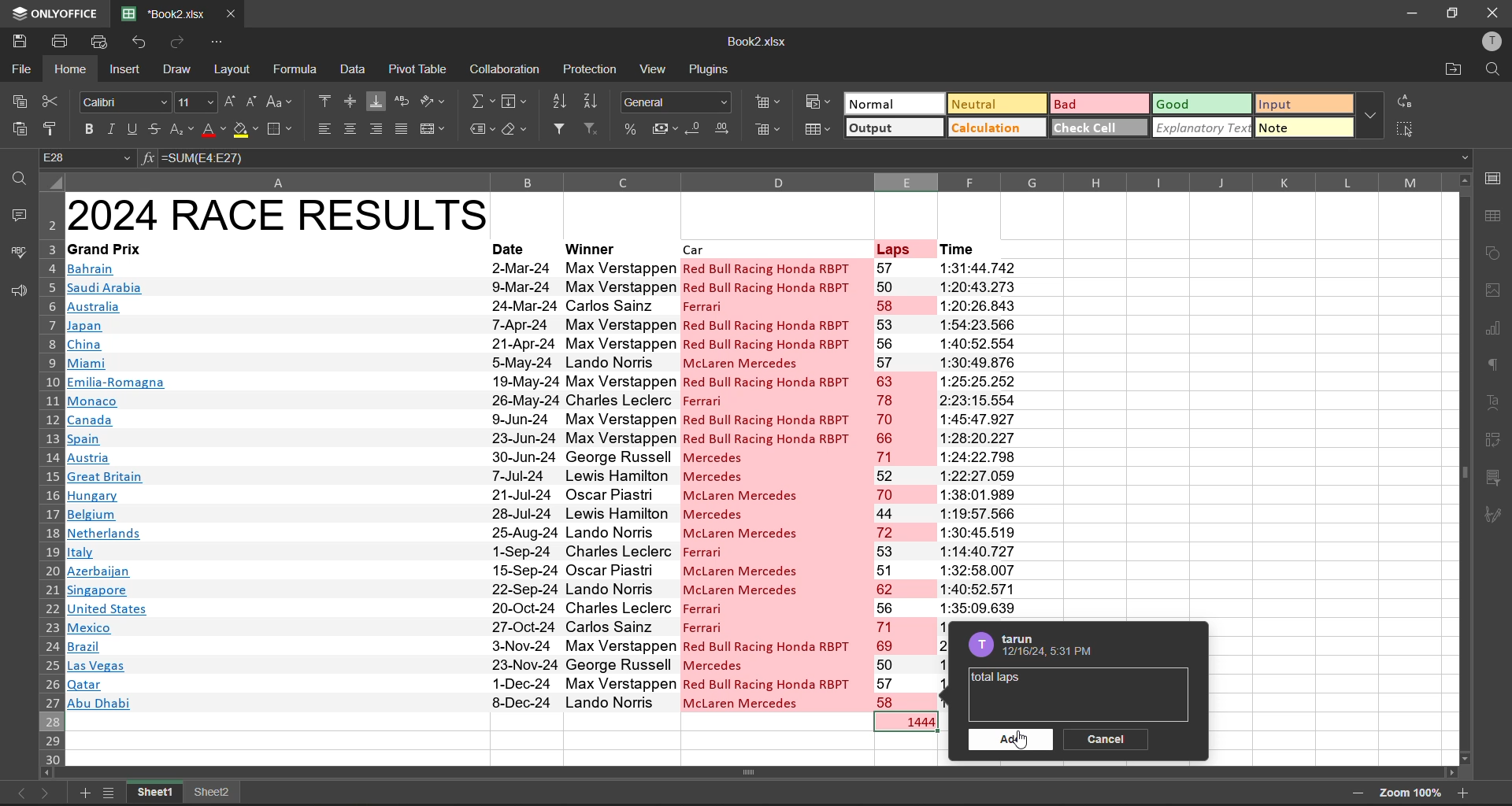  What do you see at coordinates (510, 248) in the screenshot?
I see `date` at bounding box center [510, 248].